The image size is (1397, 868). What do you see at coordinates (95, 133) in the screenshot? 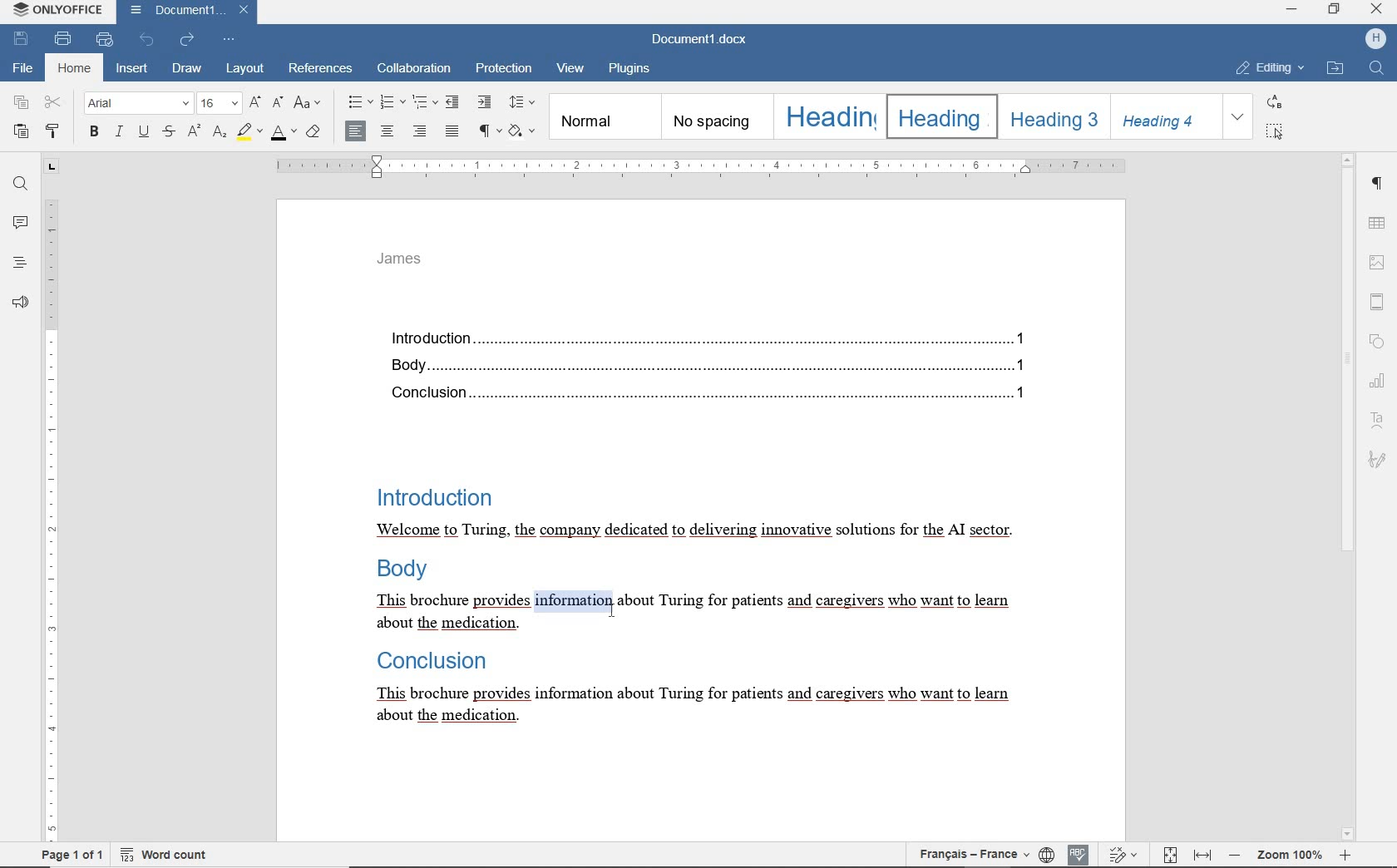
I see `BOLD` at bounding box center [95, 133].